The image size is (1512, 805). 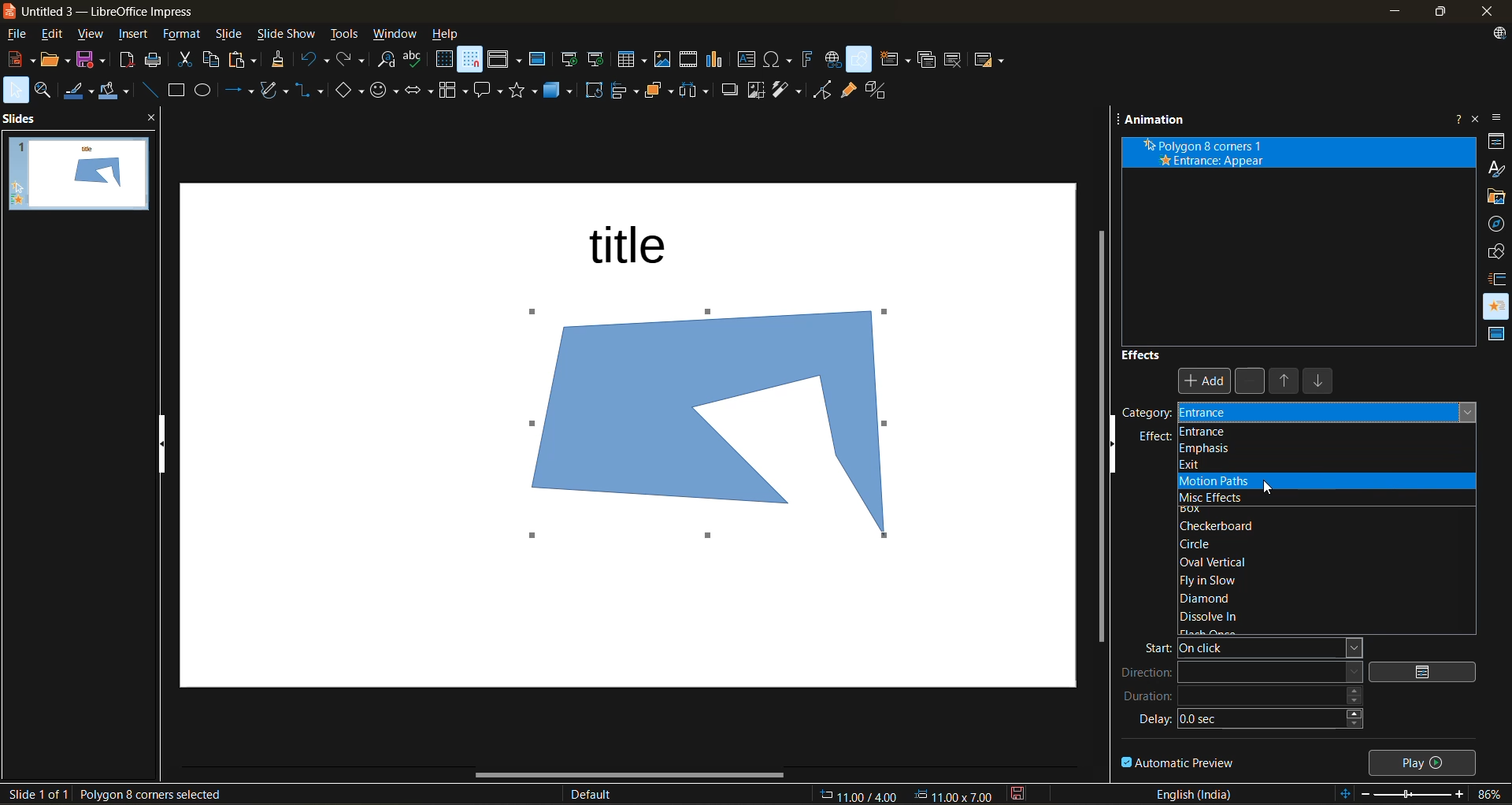 I want to click on logo, so click(x=9, y=12).